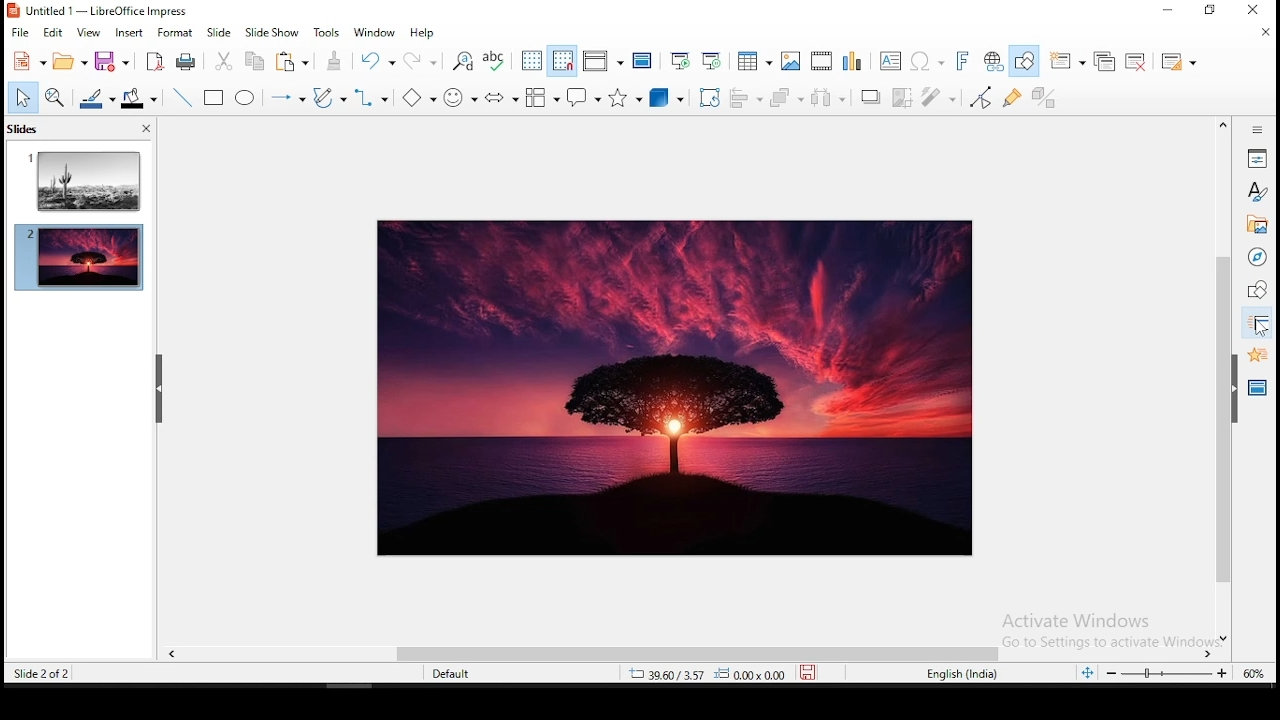  What do you see at coordinates (683, 652) in the screenshot?
I see `scroll bar` at bounding box center [683, 652].